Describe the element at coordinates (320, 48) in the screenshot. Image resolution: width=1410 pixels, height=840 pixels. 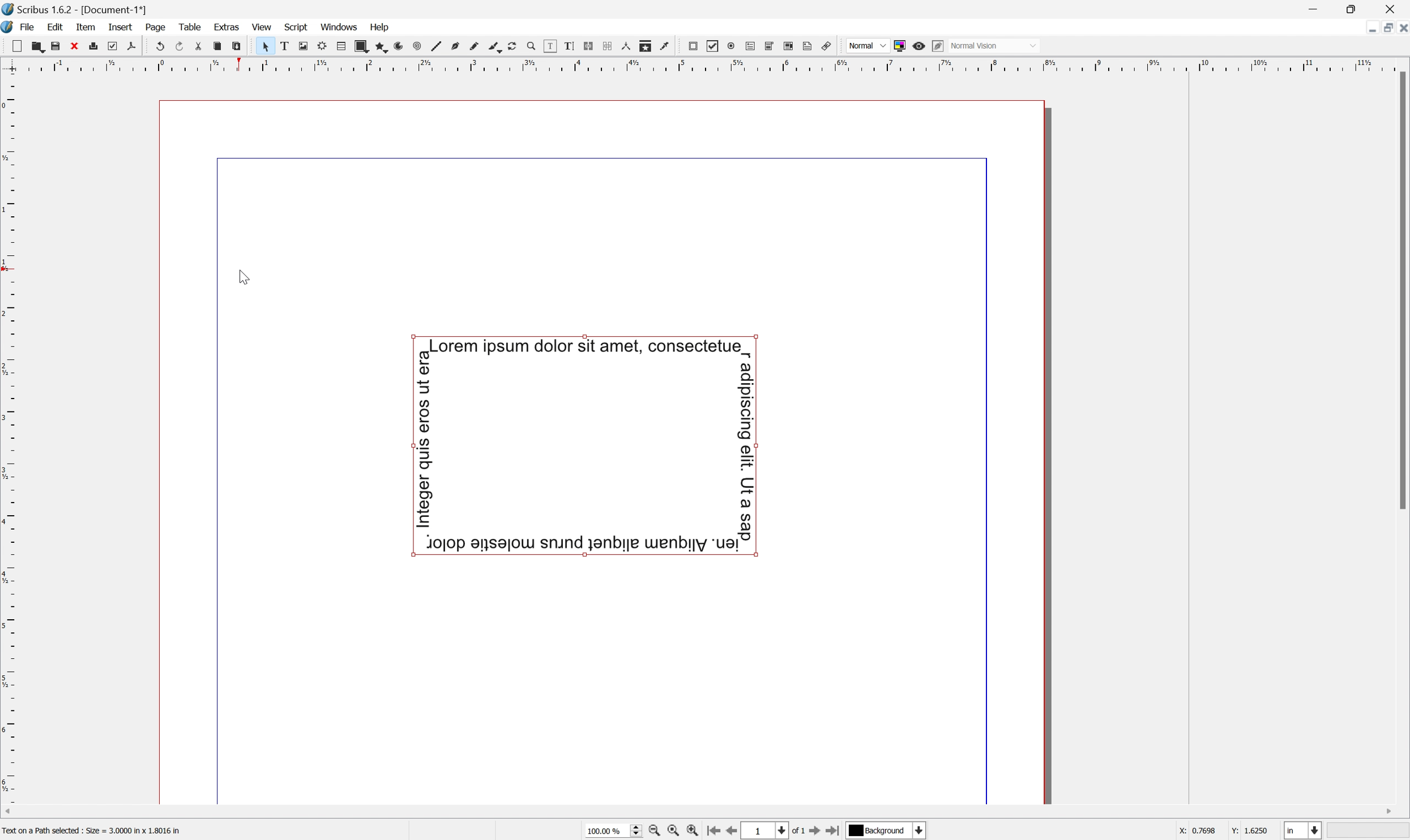
I see `Render frame` at that location.